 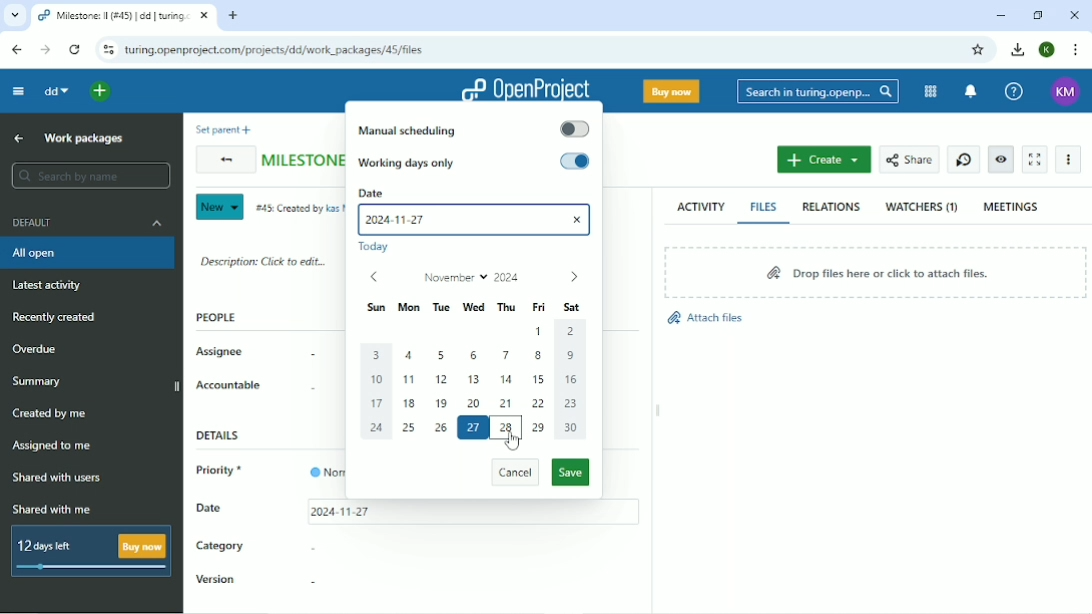 I want to click on All open, so click(x=89, y=253).